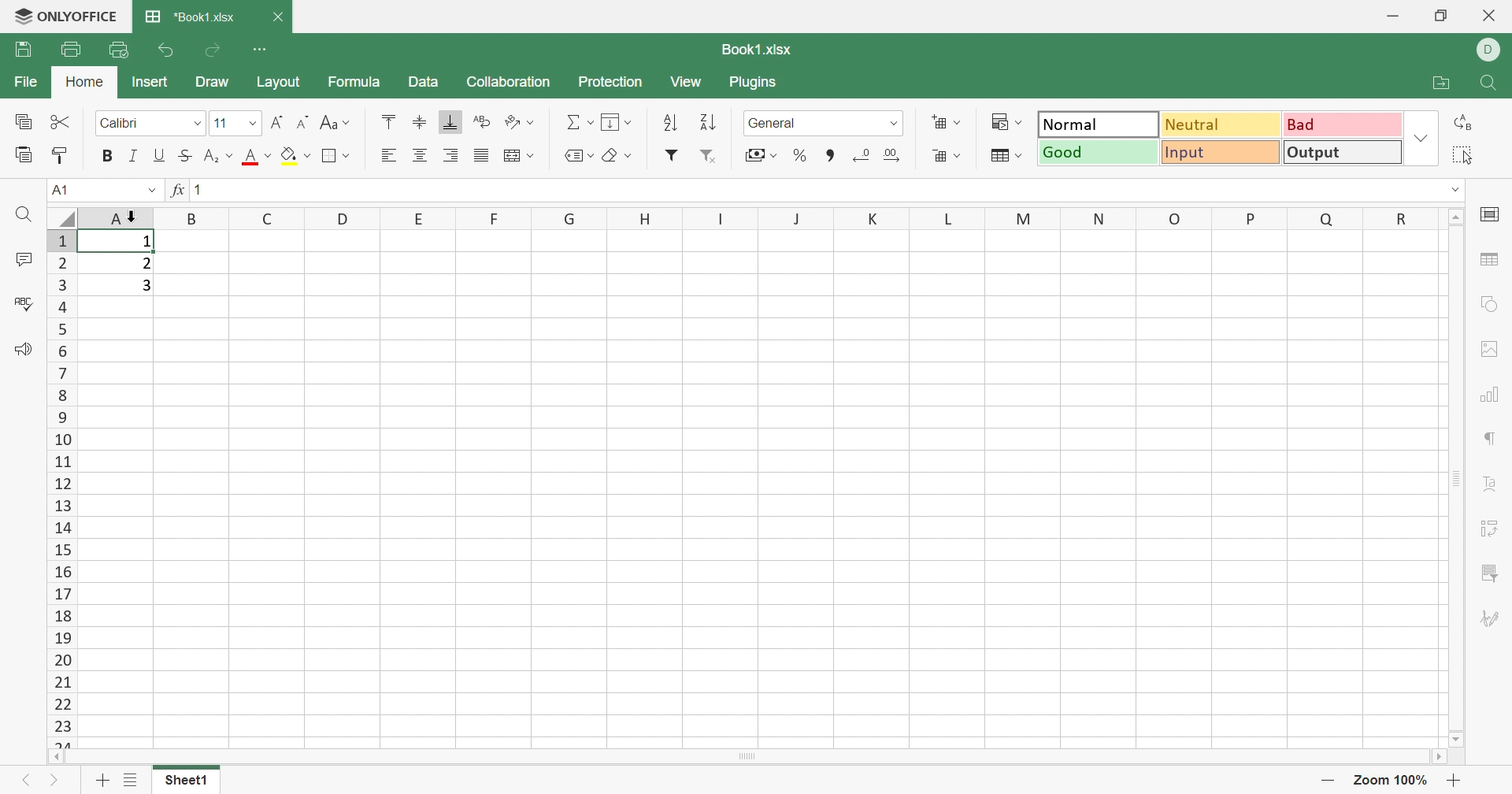 The width and height of the screenshot is (1512, 794). What do you see at coordinates (56, 757) in the screenshot?
I see `Scroll left` at bounding box center [56, 757].